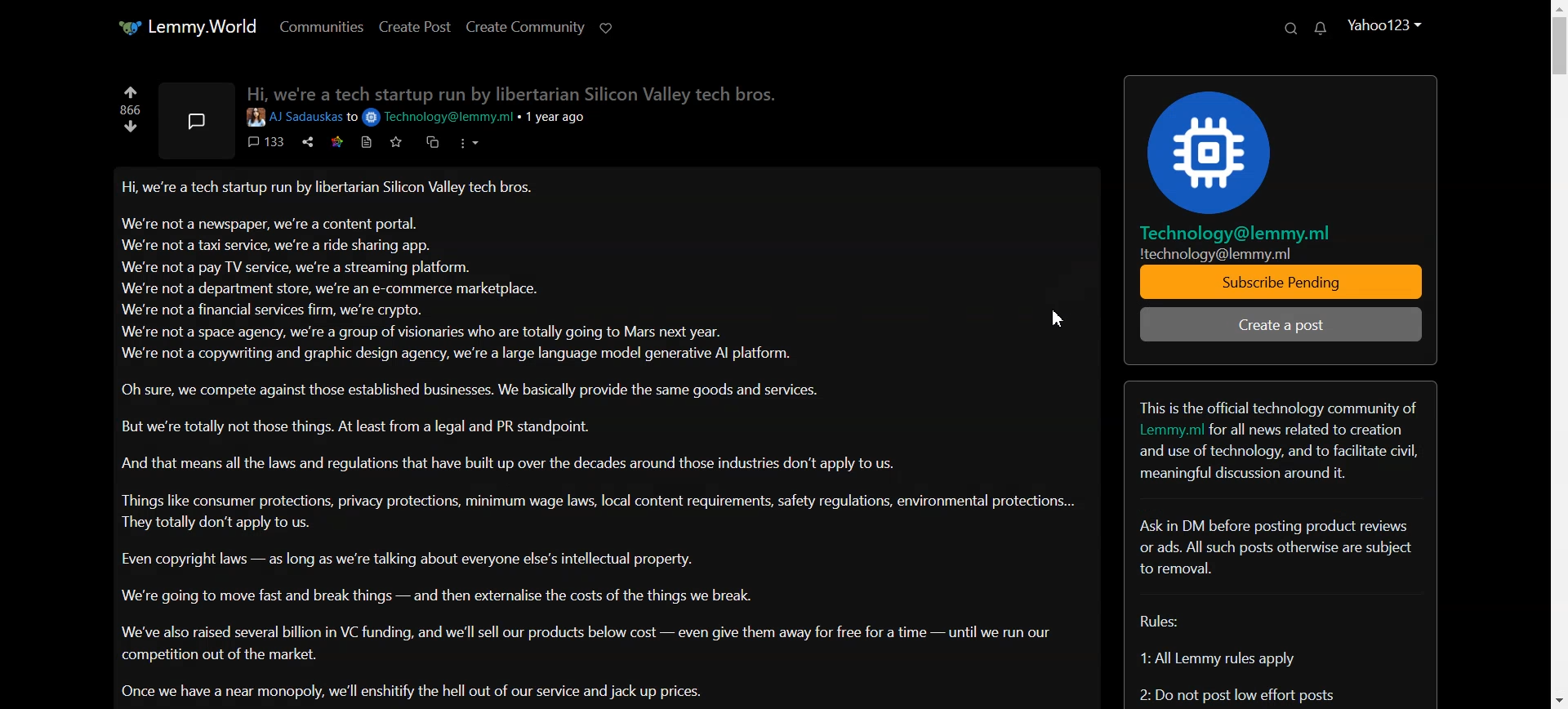 This screenshot has width=1568, height=709. Describe the element at coordinates (1241, 234) in the screenshot. I see `Technology@lemmy.ml` at that location.